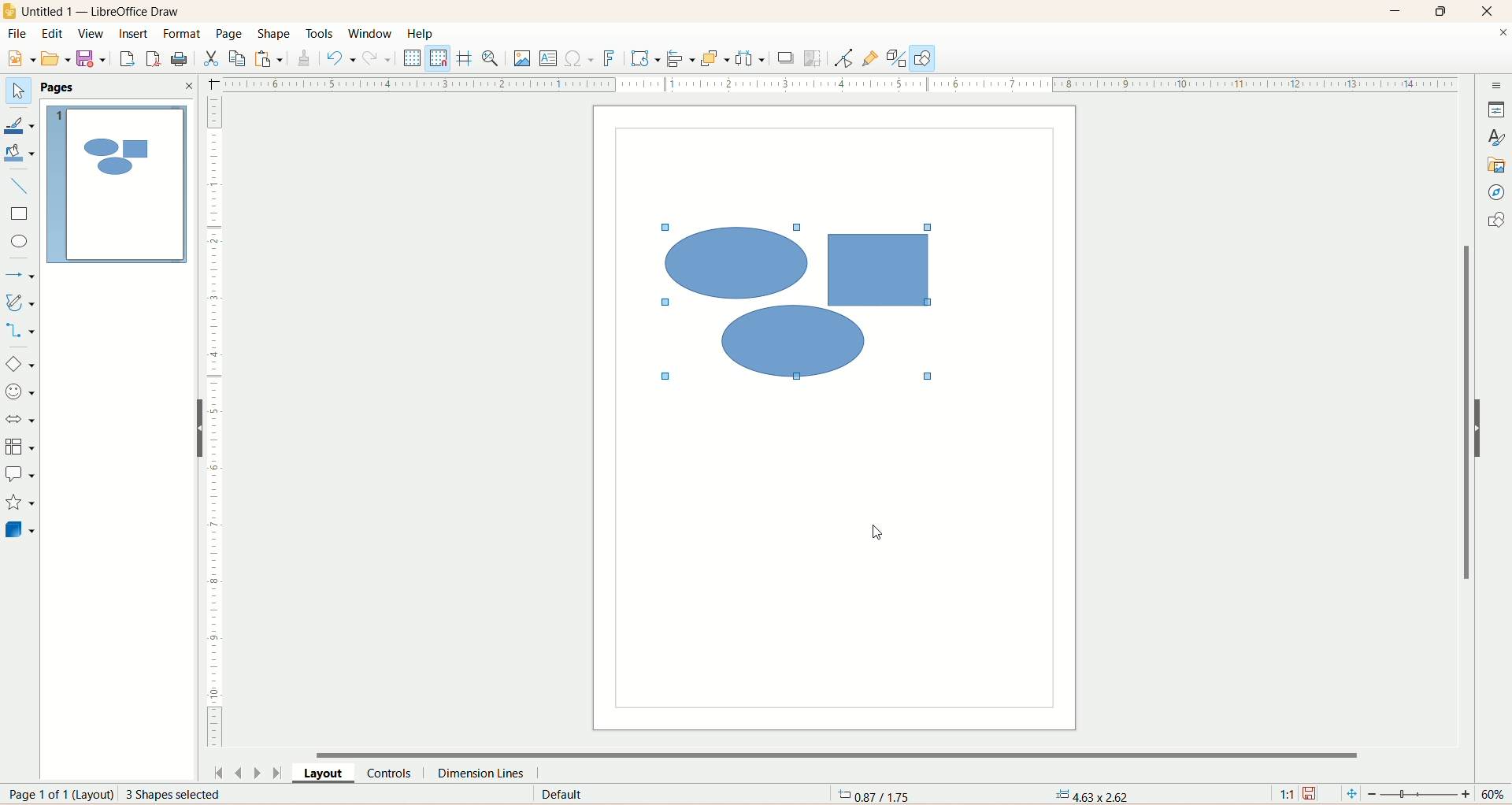 This screenshot has width=1512, height=805. Describe the element at coordinates (377, 62) in the screenshot. I see `redo` at that location.